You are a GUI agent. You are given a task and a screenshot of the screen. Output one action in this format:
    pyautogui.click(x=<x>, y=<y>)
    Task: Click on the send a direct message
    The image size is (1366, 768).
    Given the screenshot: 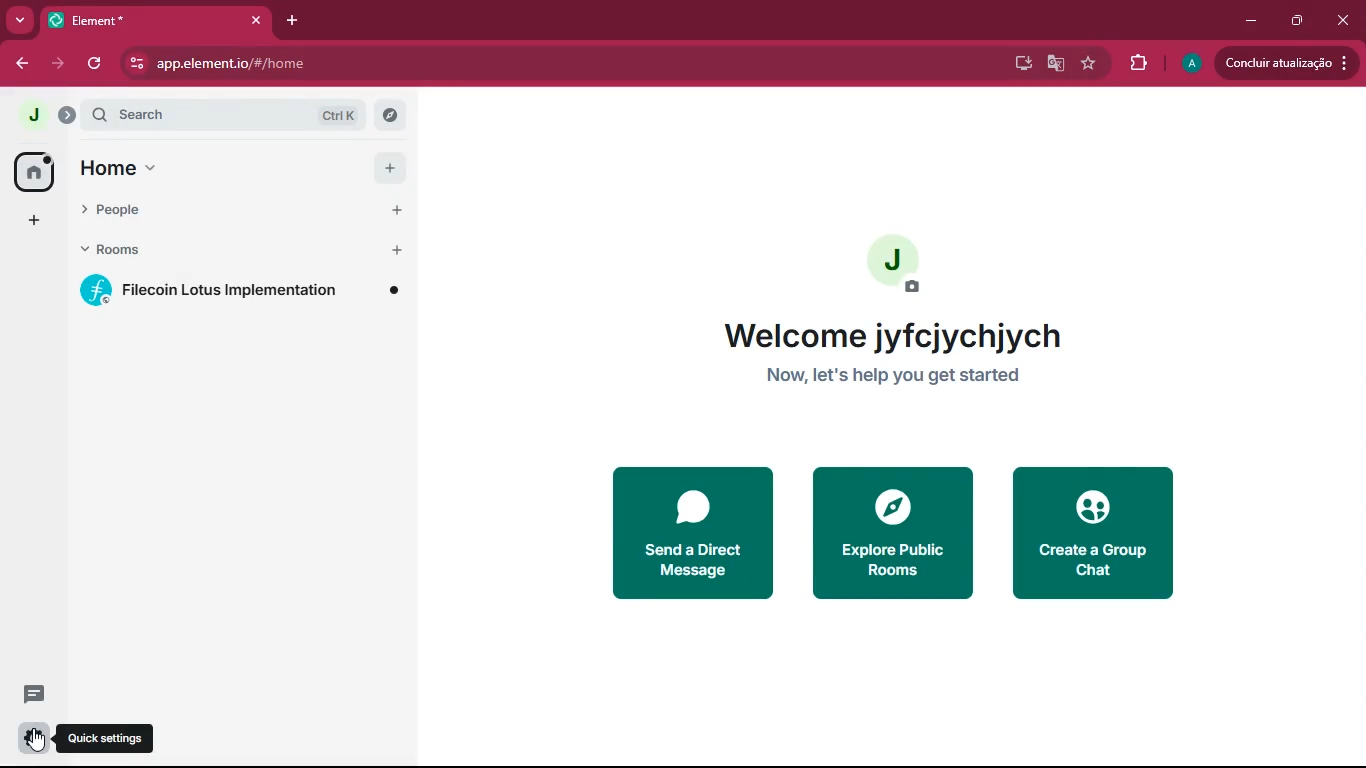 What is the action you would take?
    pyautogui.click(x=693, y=533)
    